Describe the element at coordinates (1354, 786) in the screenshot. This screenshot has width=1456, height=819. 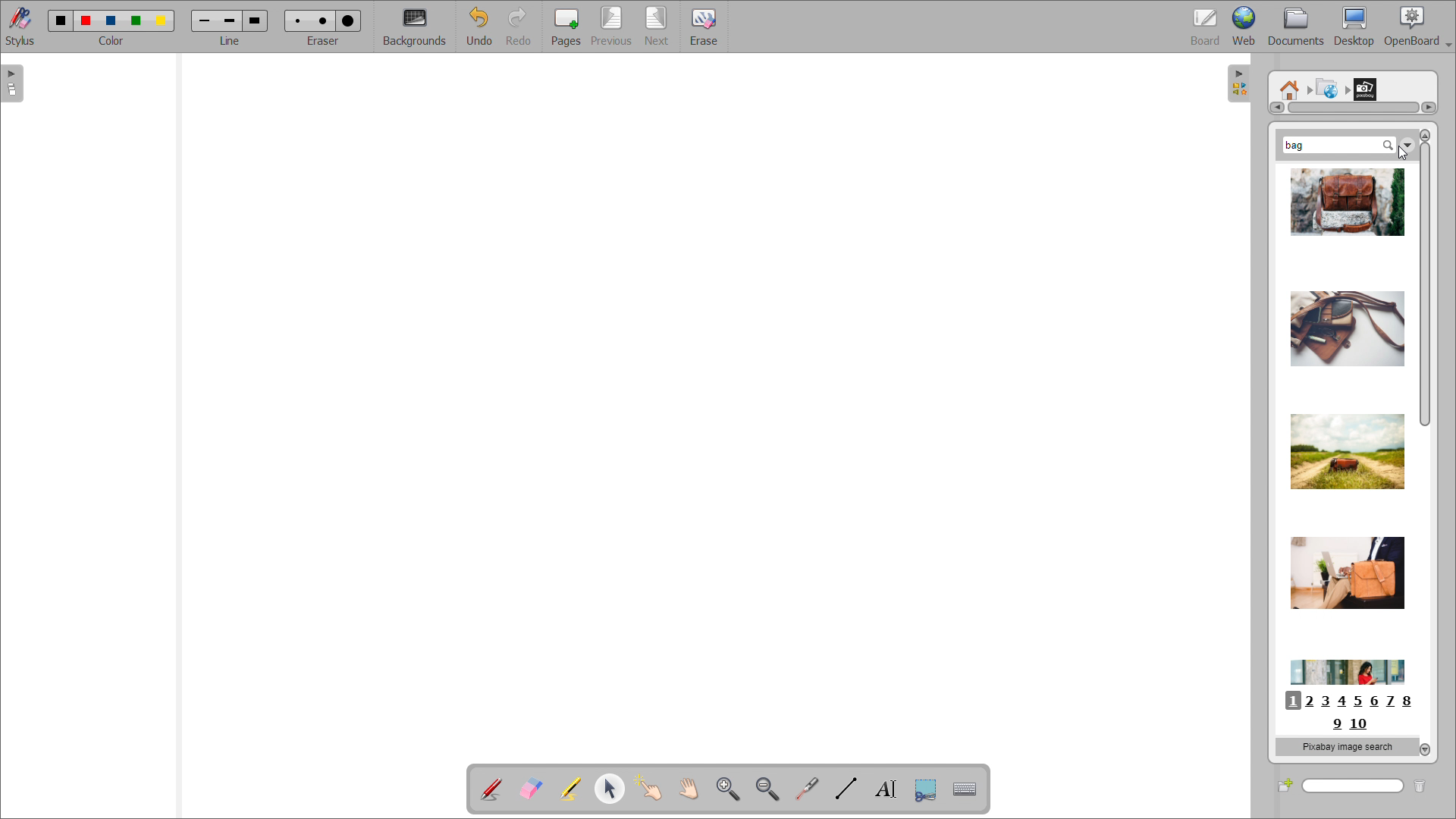
I see `search` at that location.